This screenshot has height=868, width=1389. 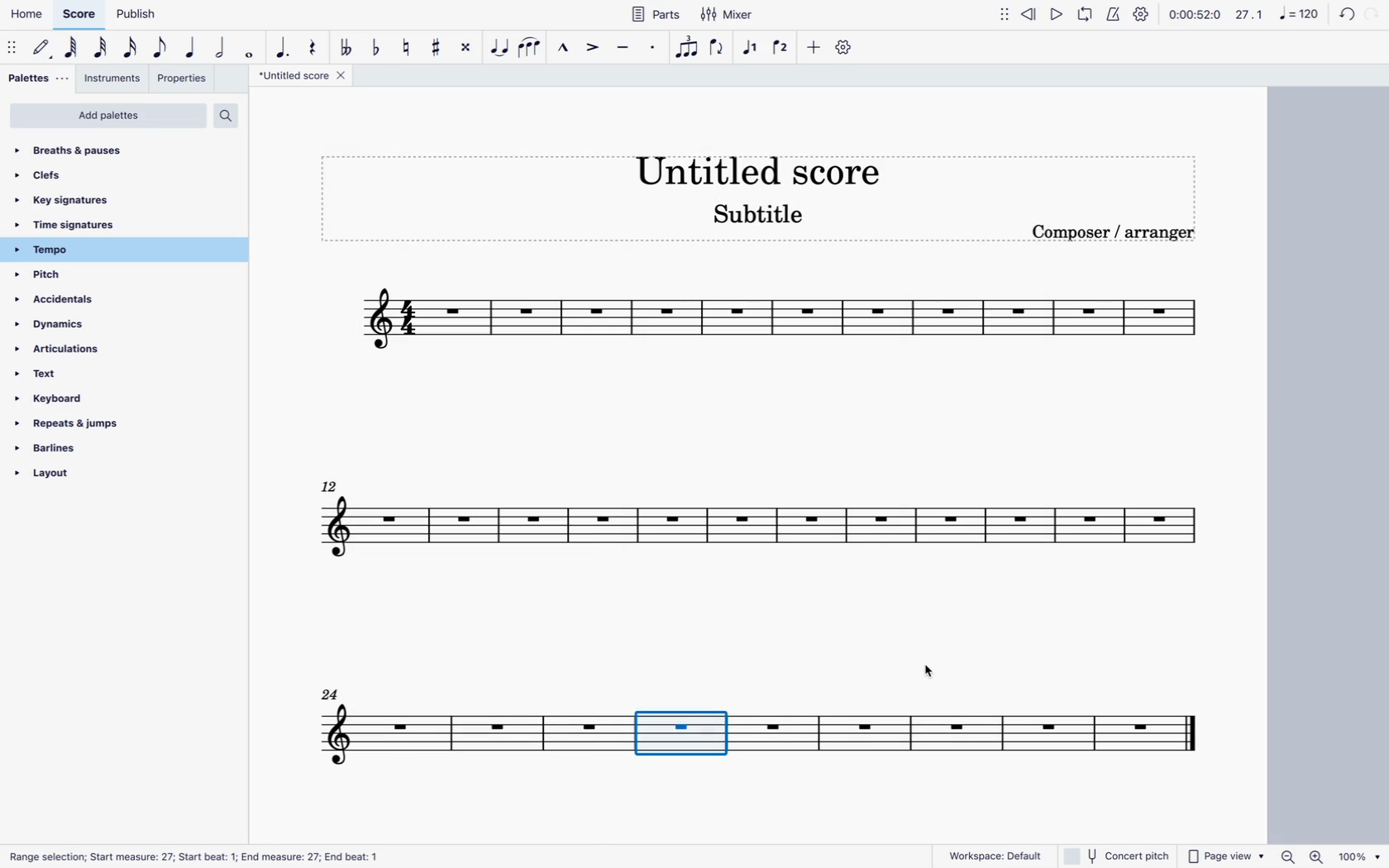 What do you see at coordinates (1055, 14) in the screenshot?
I see `play` at bounding box center [1055, 14].